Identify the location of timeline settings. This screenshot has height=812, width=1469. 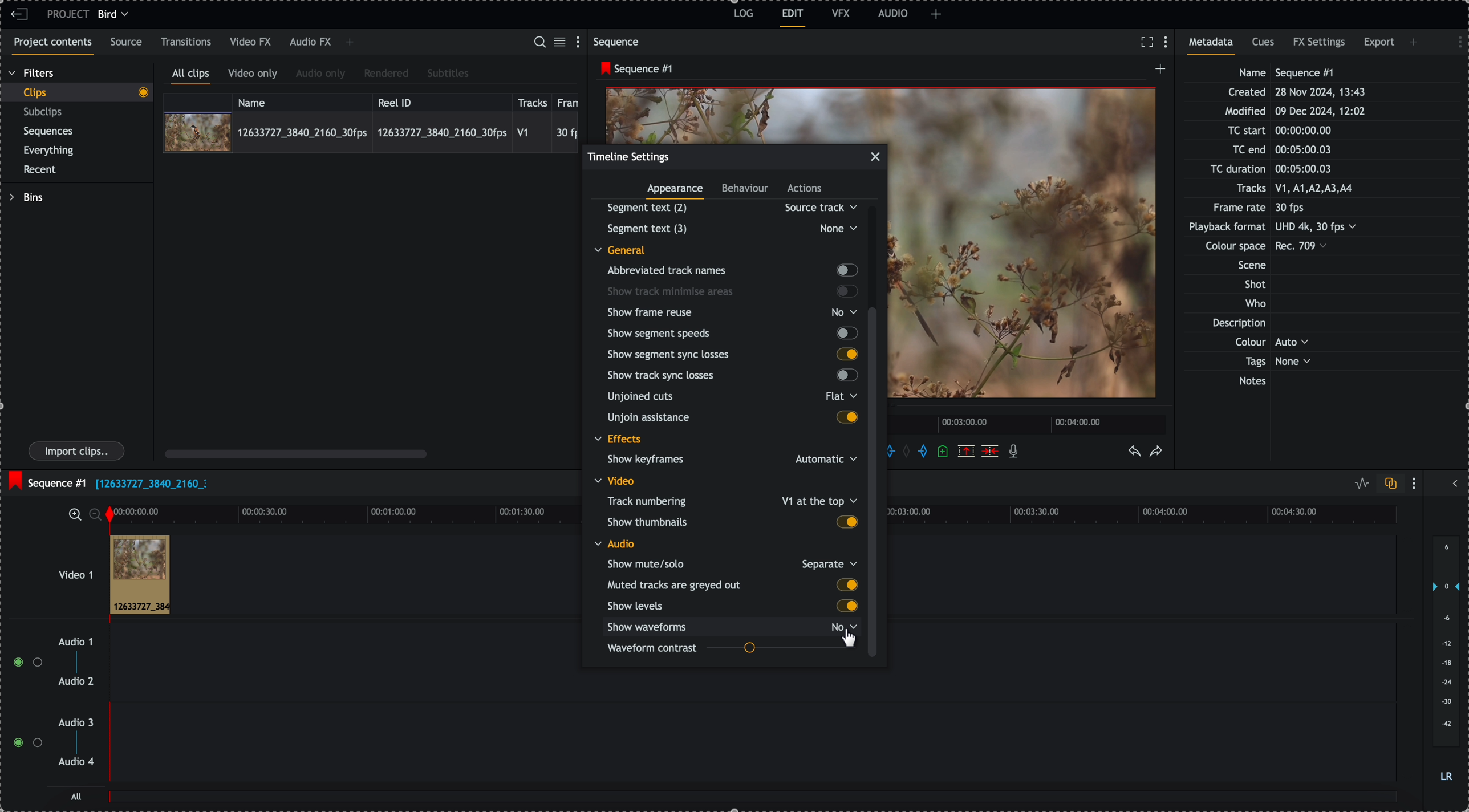
(629, 156).